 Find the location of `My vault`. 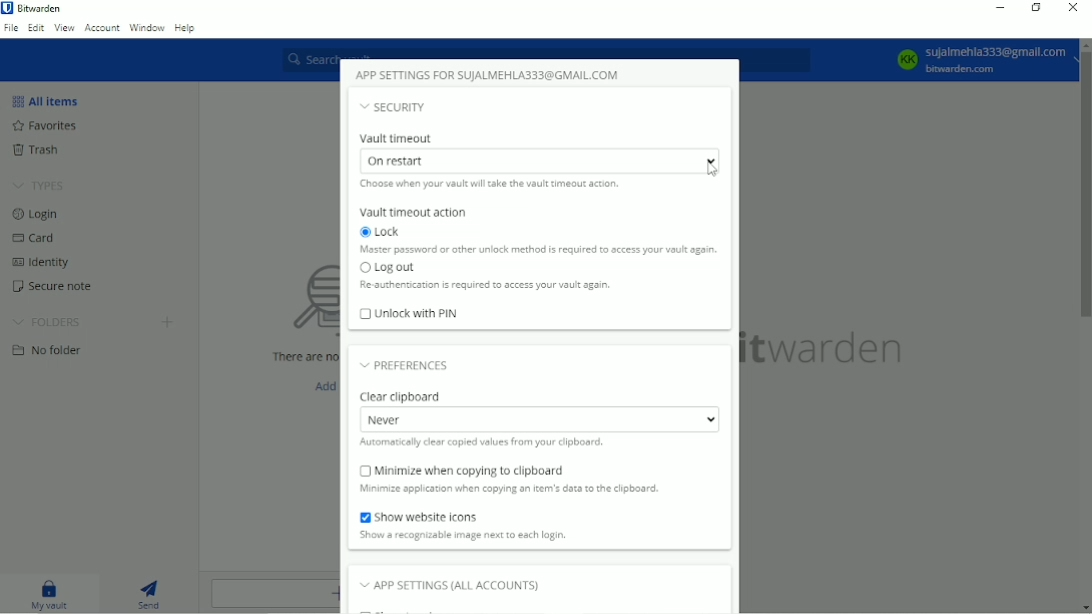

My vault is located at coordinates (50, 594).